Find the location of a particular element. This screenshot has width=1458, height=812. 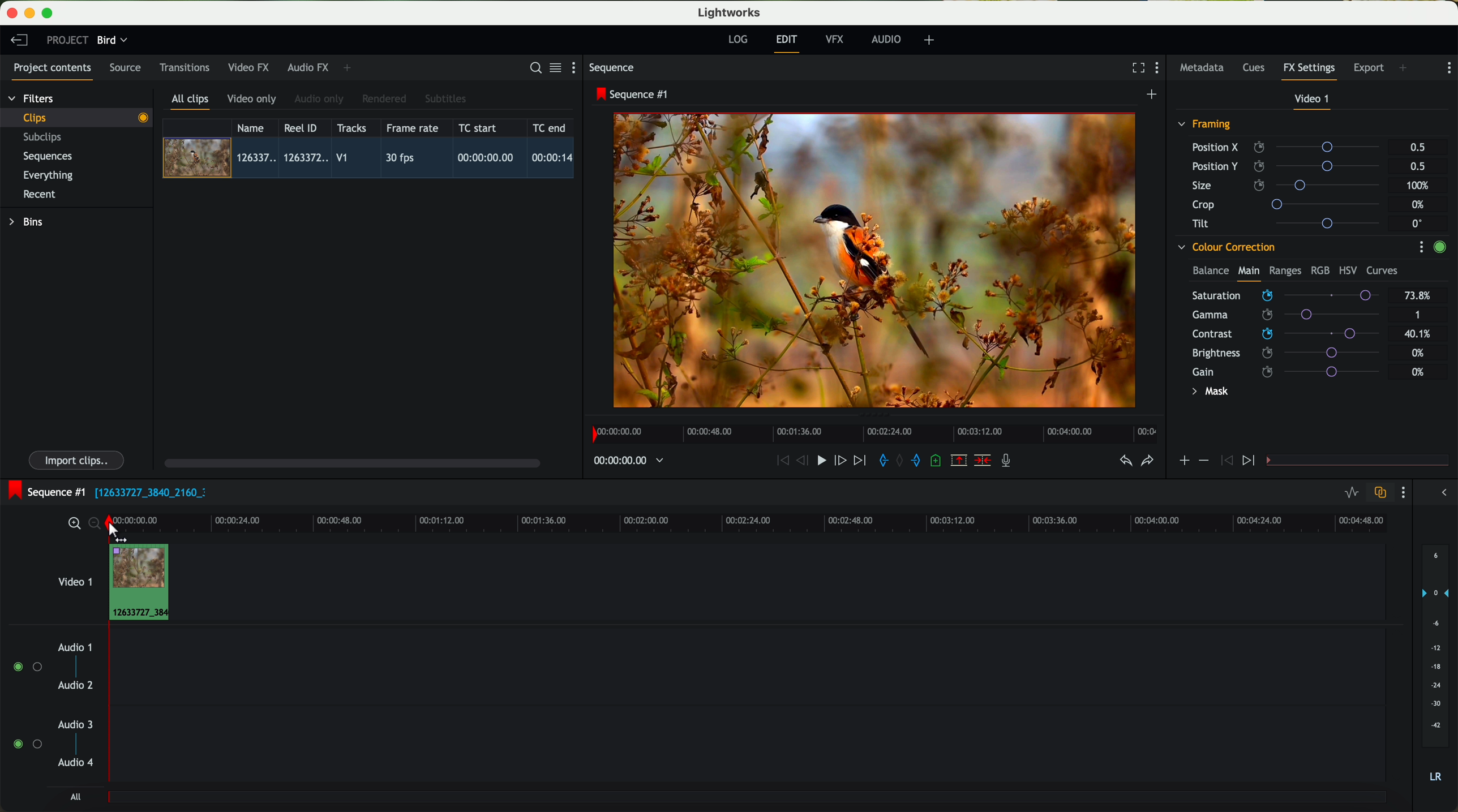

crop is located at coordinates (1290, 204).